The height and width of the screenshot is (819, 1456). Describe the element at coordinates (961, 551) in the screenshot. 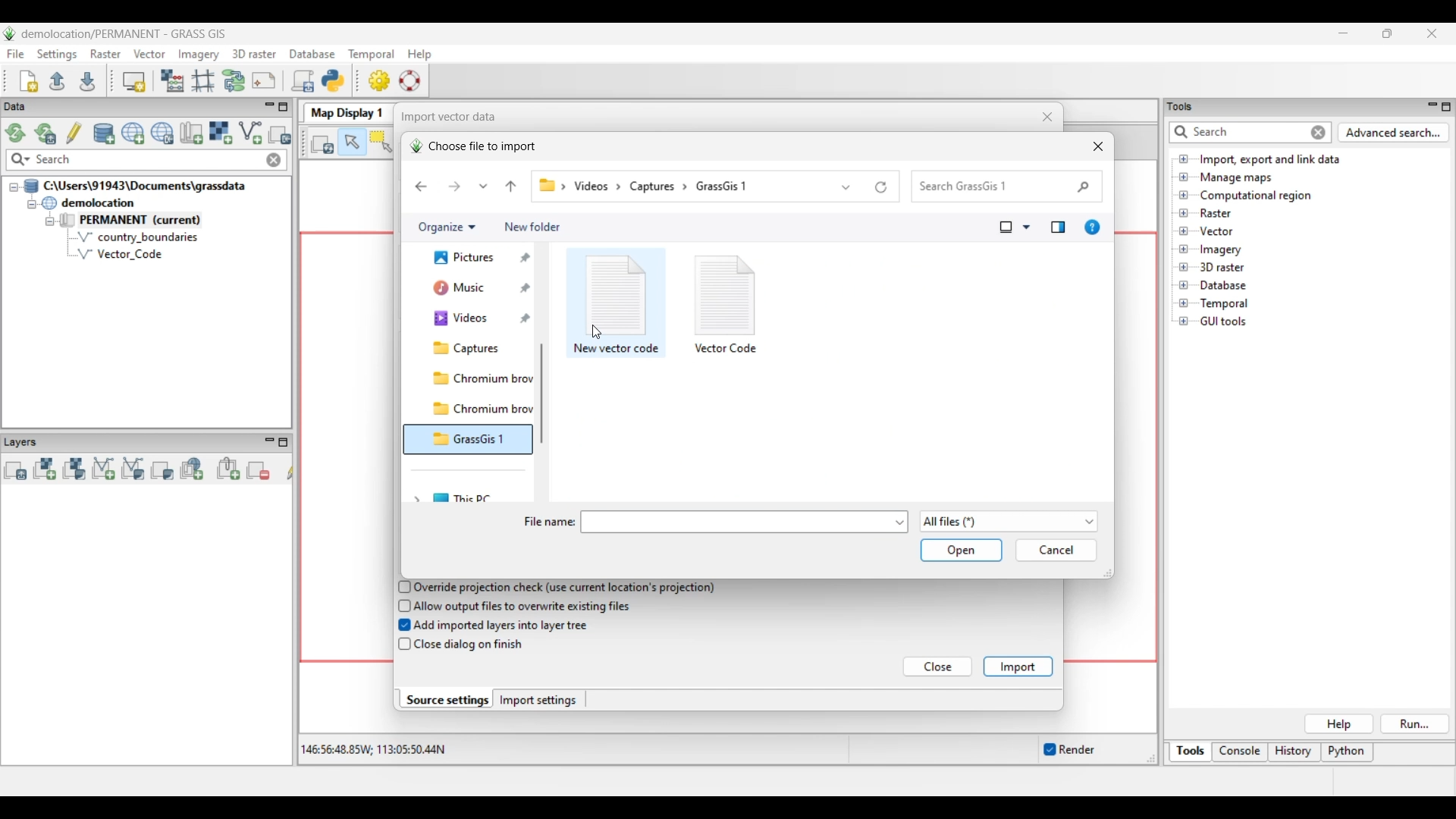

I see `Save and open inputs` at that location.